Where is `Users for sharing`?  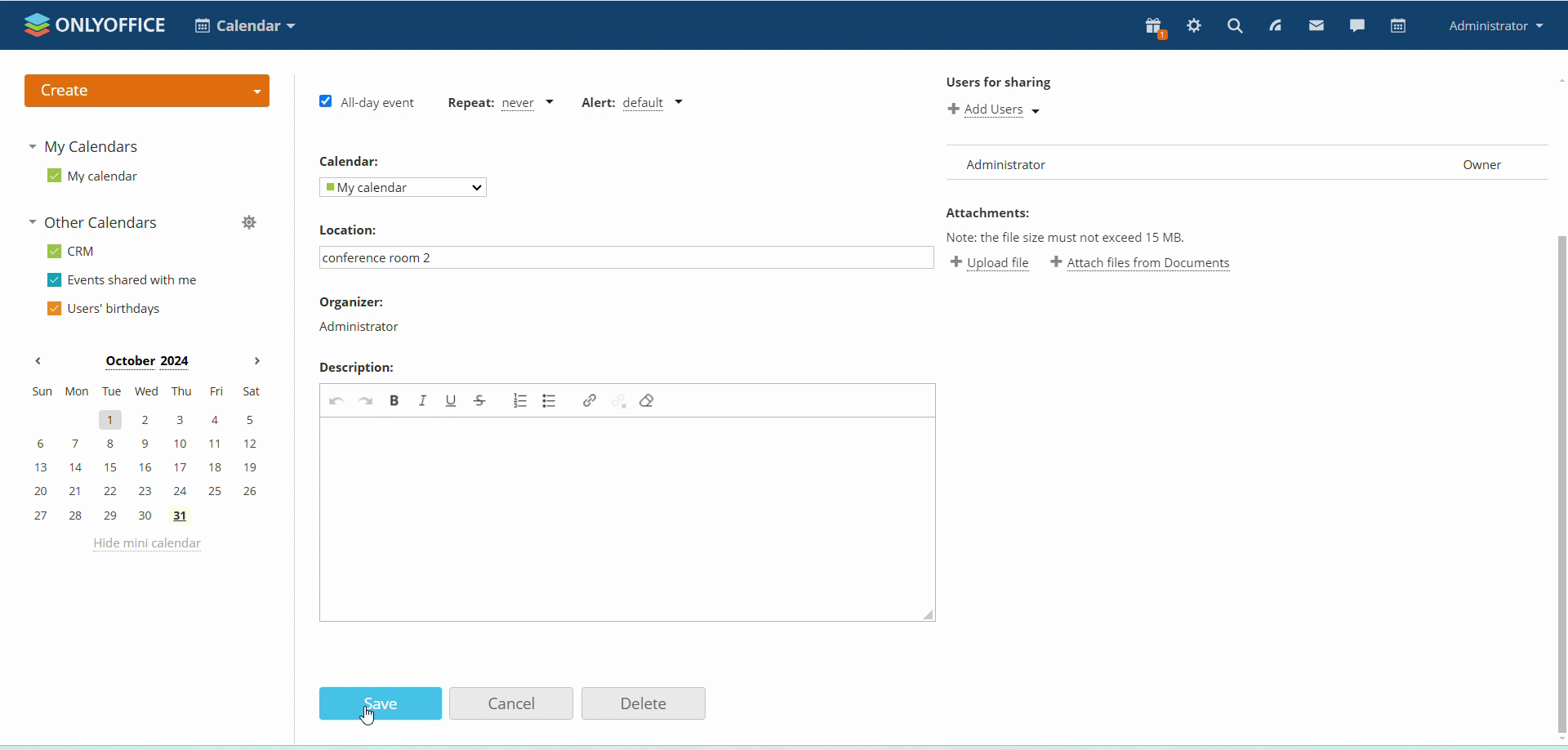
Users for sharing is located at coordinates (997, 82).